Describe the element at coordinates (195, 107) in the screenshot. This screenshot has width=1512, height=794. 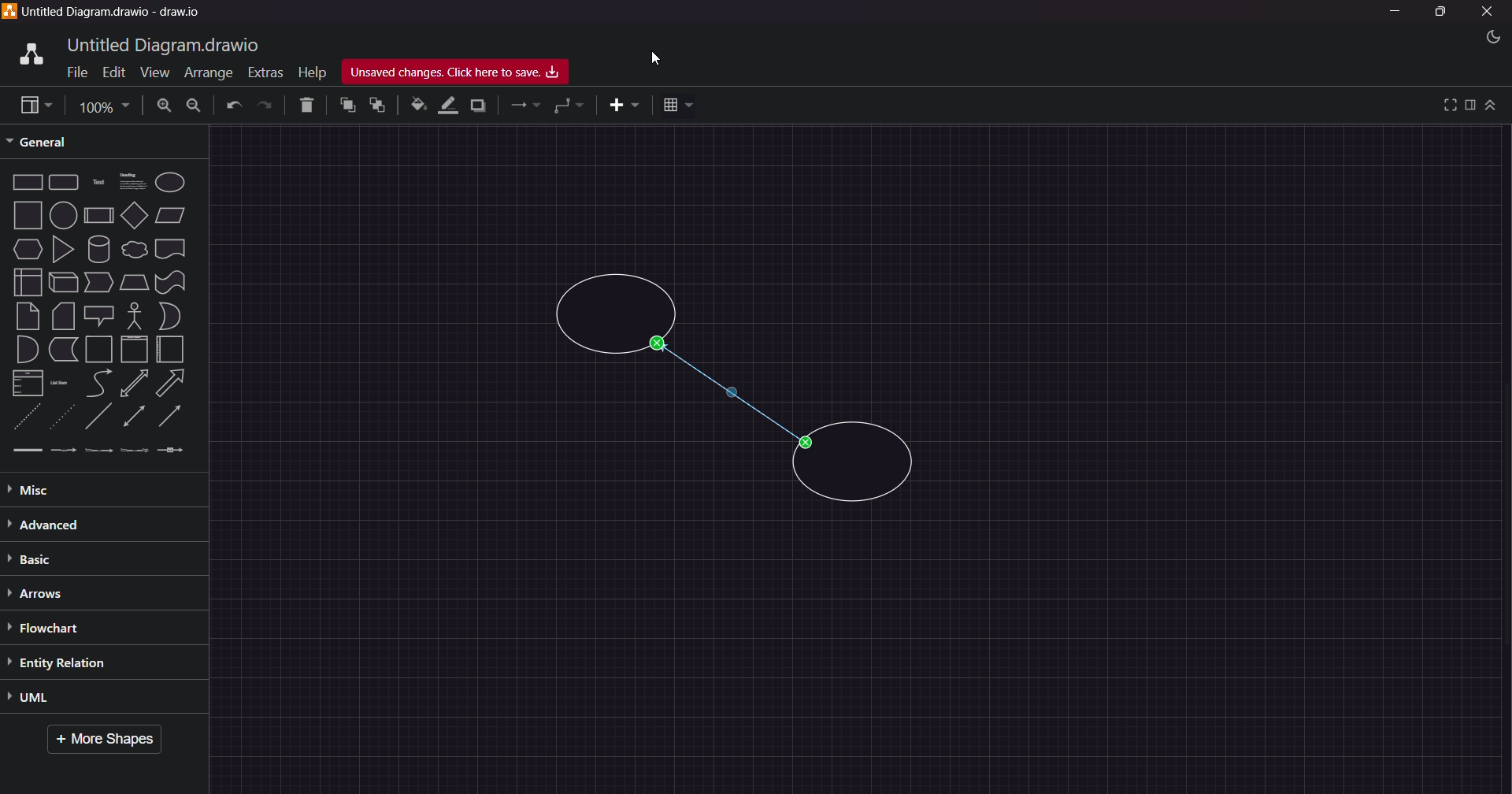
I see `Zoom Out` at that location.